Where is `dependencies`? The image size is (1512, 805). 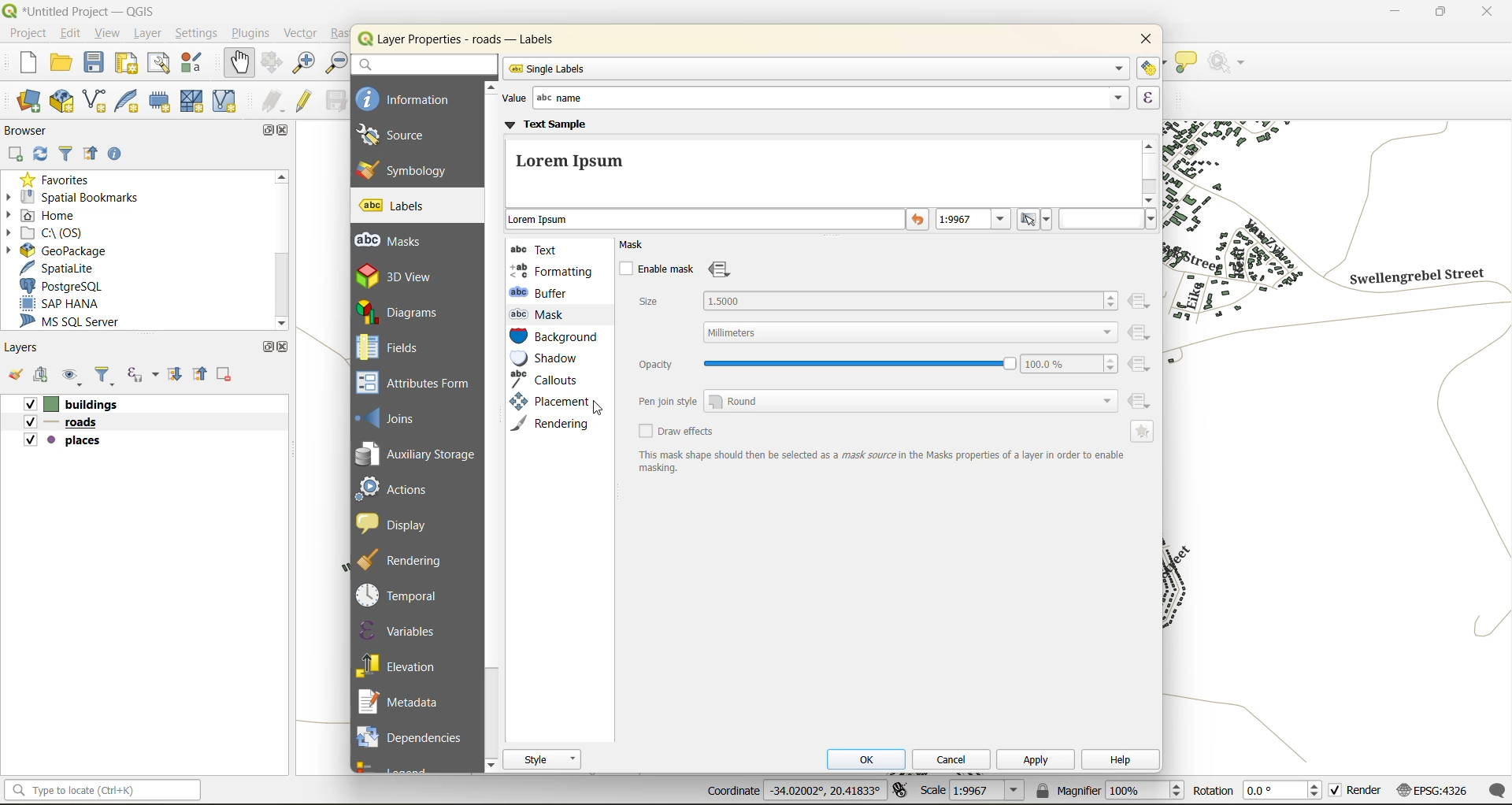 dependencies is located at coordinates (410, 735).